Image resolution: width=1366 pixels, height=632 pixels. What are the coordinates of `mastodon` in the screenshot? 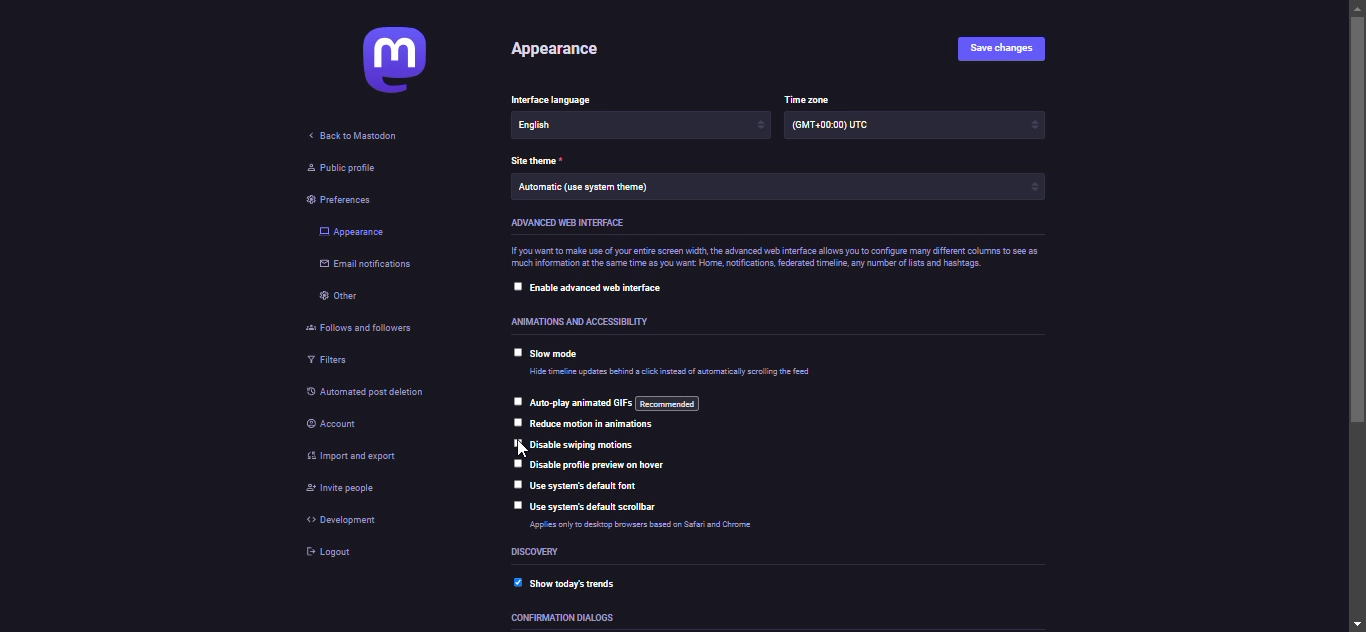 It's located at (401, 60).